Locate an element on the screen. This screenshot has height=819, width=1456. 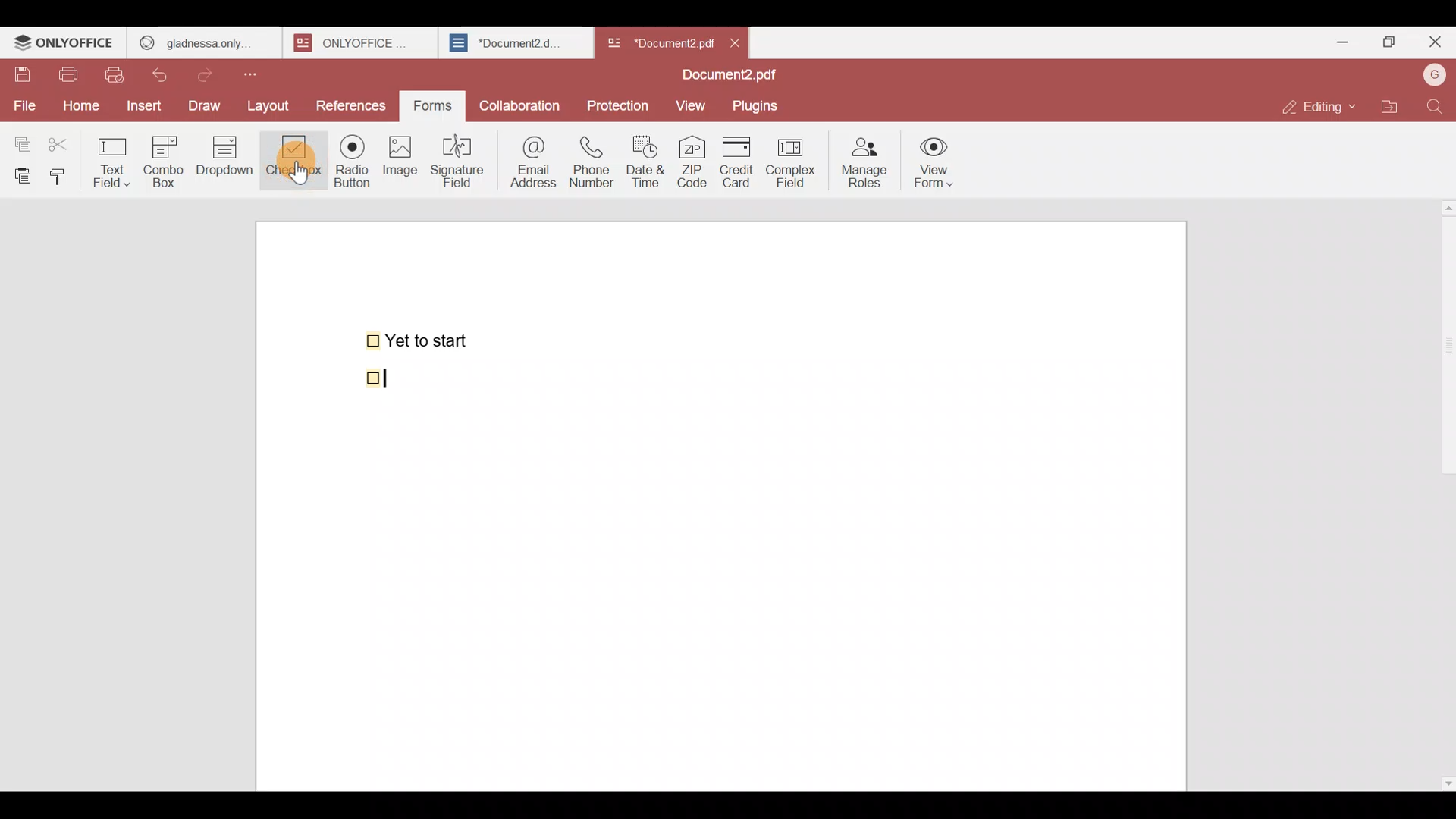
Paste is located at coordinates (20, 174).